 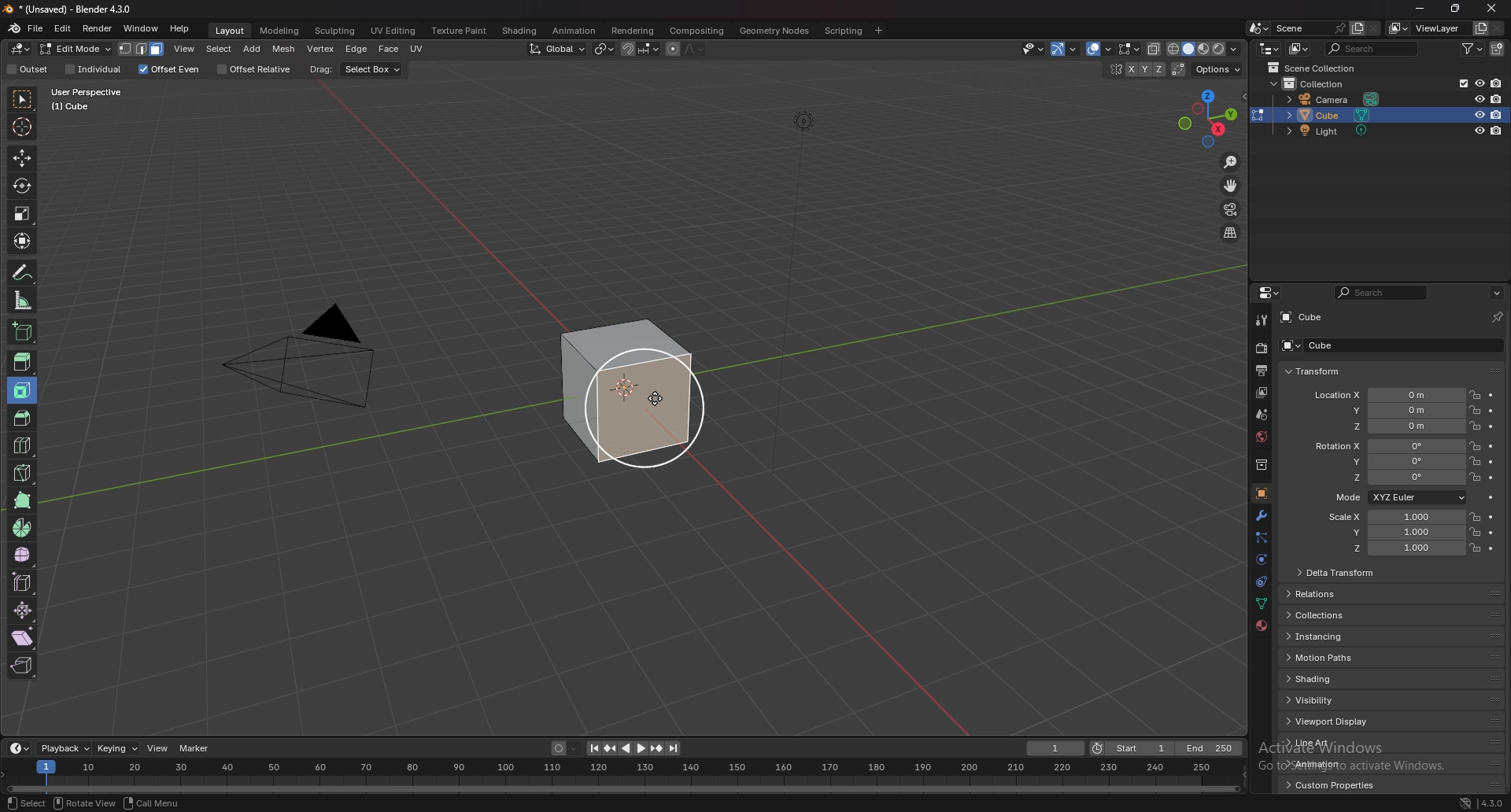 I want to click on options, so click(x=1497, y=293).